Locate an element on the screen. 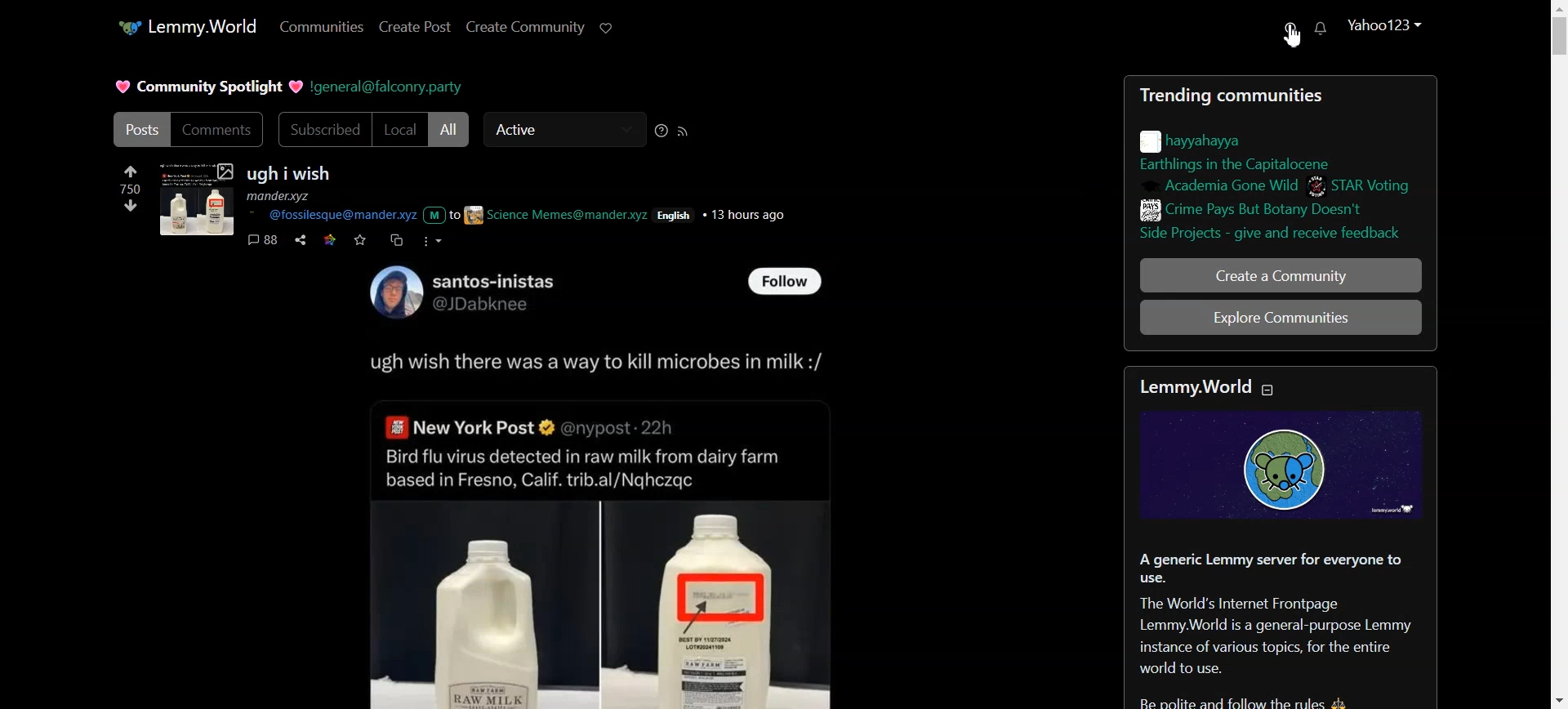  Account is located at coordinates (1385, 25).